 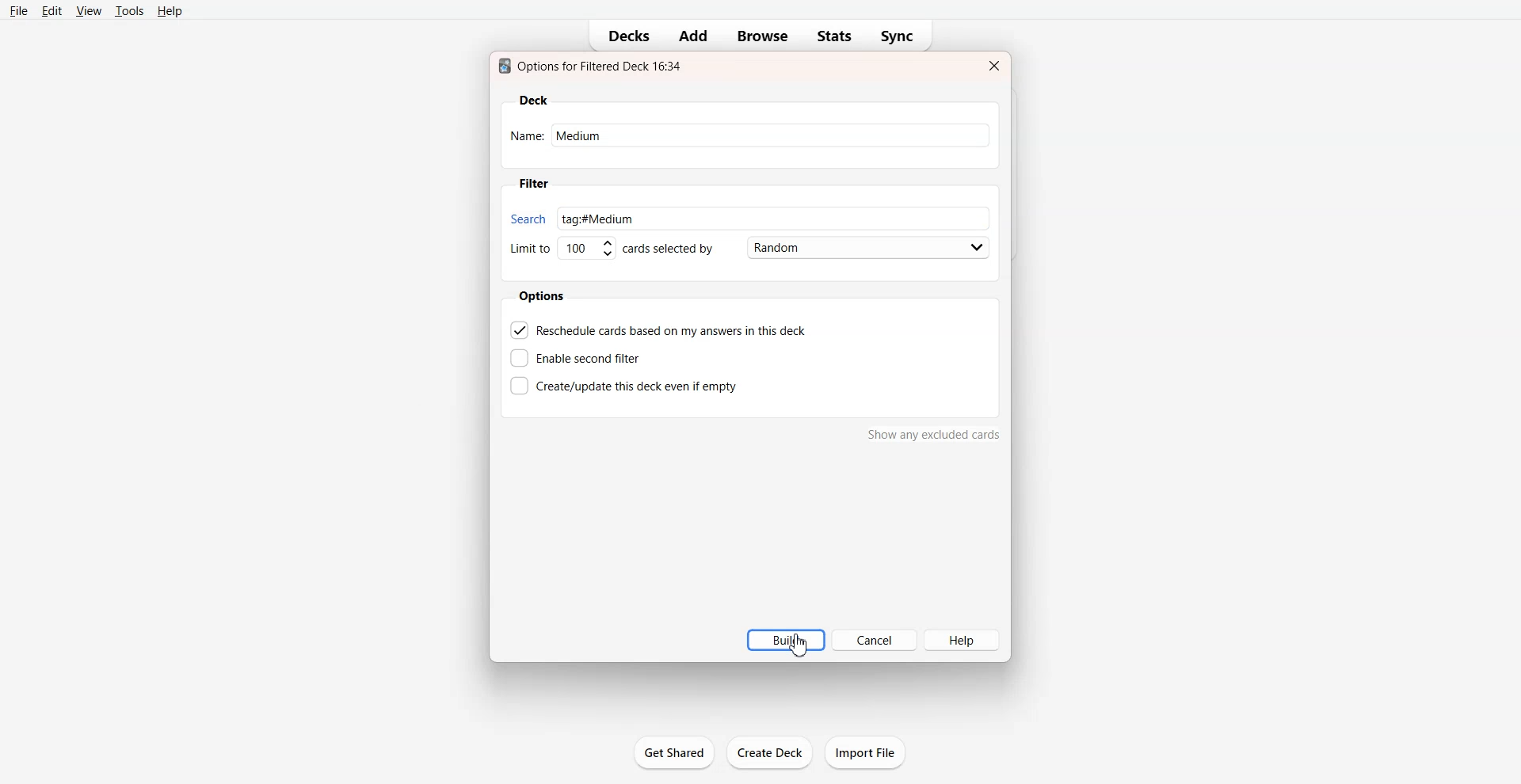 I want to click on Help, so click(x=171, y=11).